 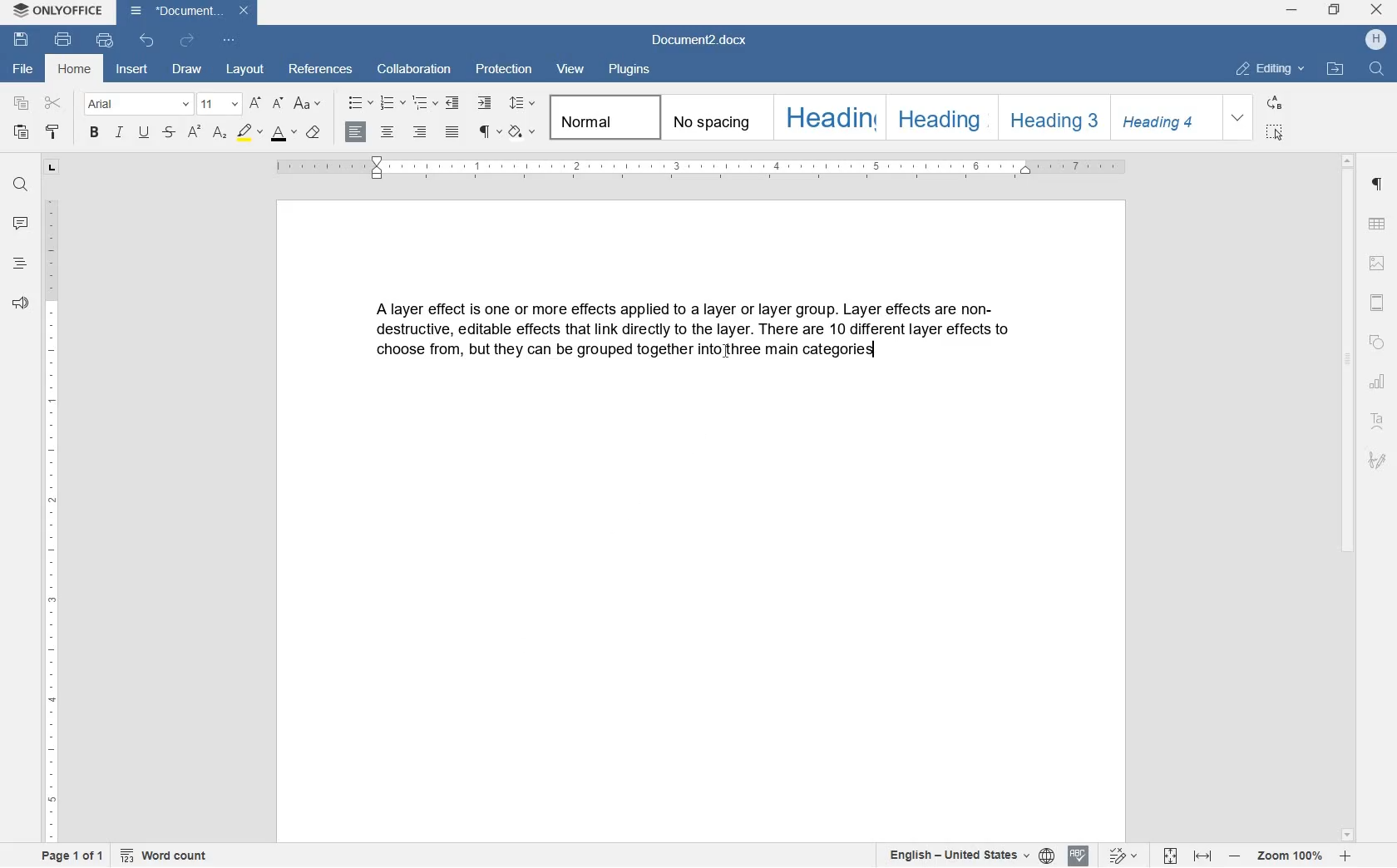 What do you see at coordinates (21, 69) in the screenshot?
I see `file` at bounding box center [21, 69].